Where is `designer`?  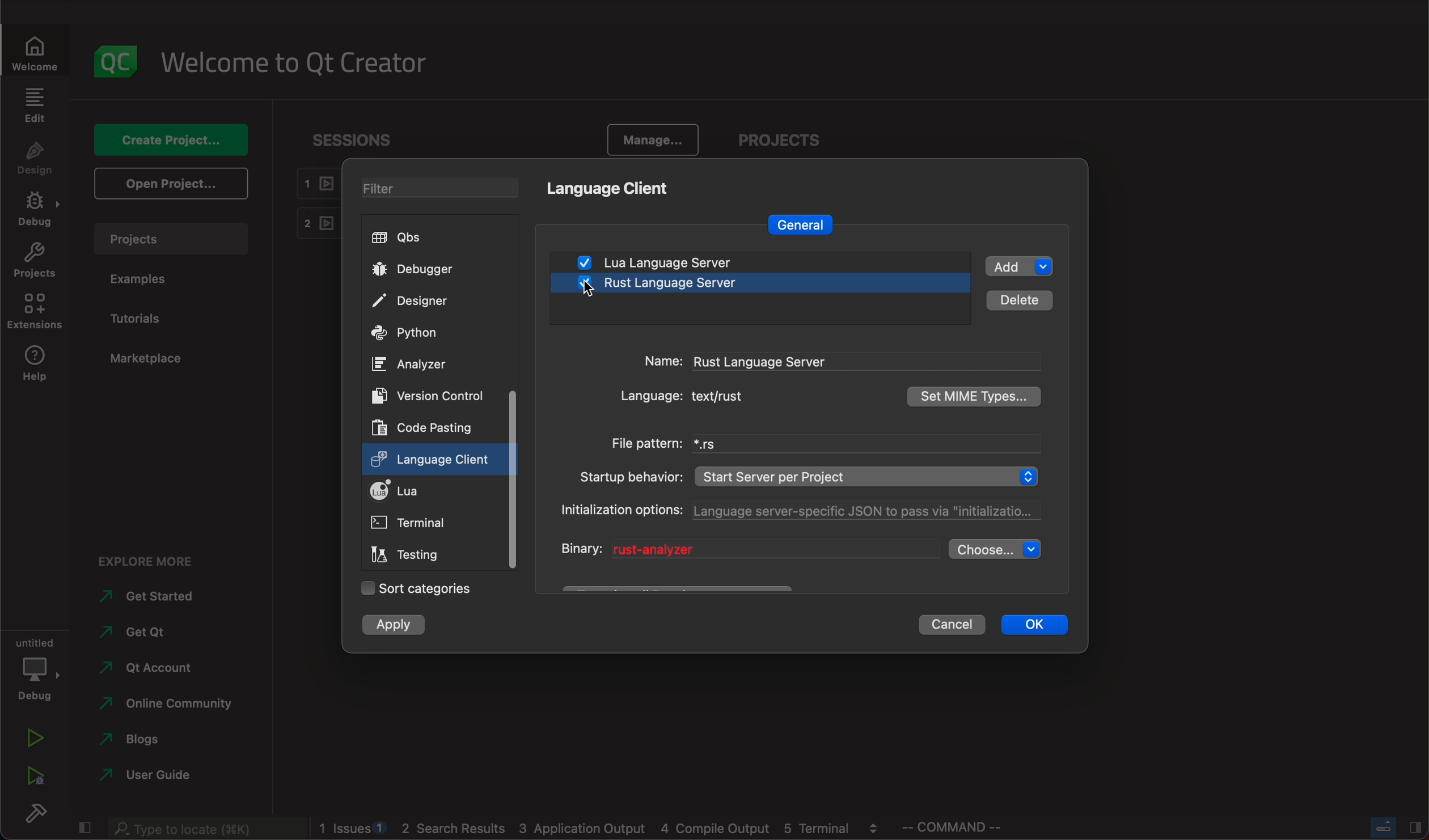 designer is located at coordinates (416, 300).